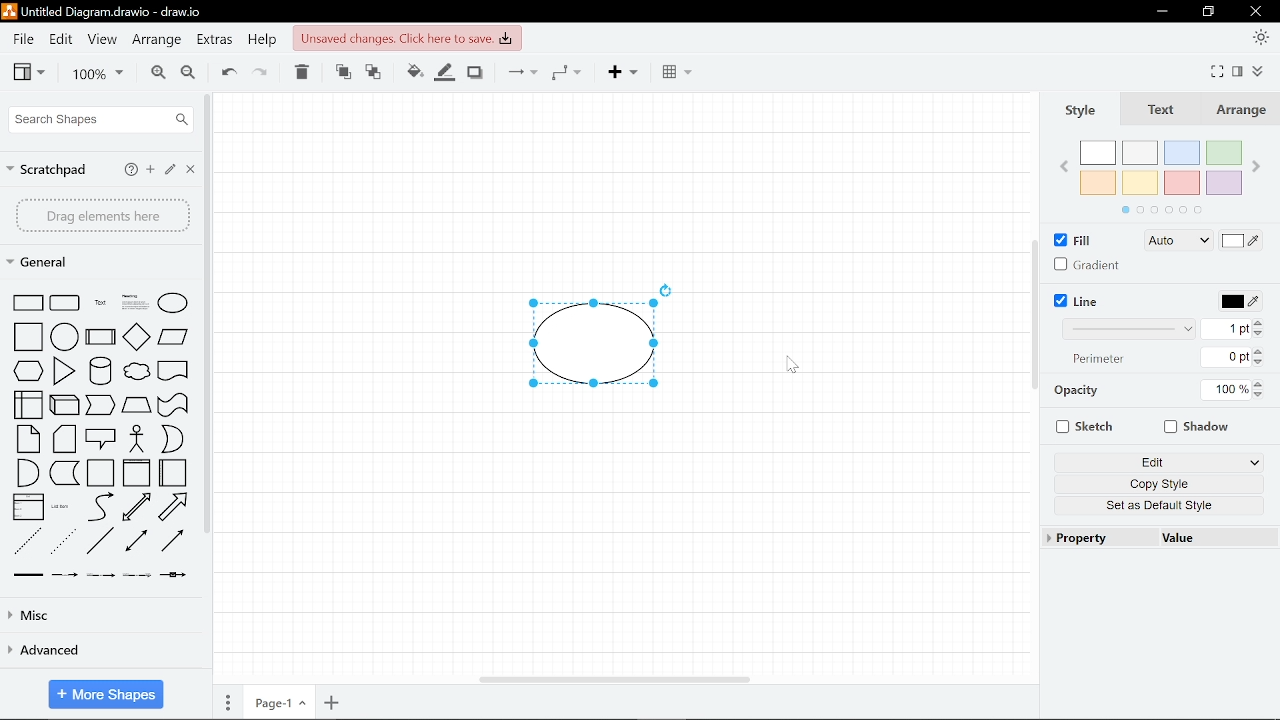 The width and height of the screenshot is (1280, 720). What do you see at coordinates (29, 73) in the screenshot?
I see `View` at bounding box center [29, 73].